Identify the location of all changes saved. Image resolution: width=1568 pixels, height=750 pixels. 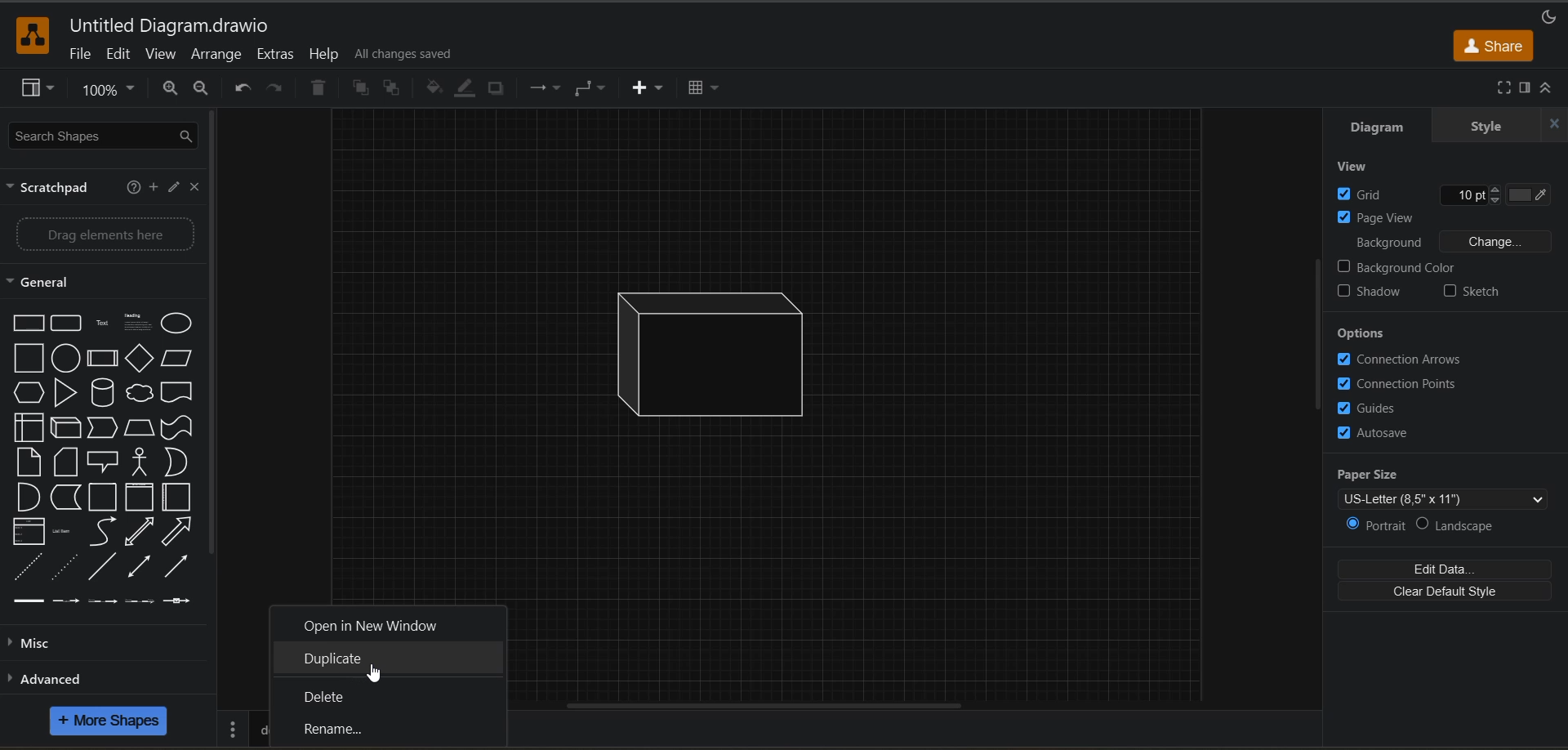
(407, 57).